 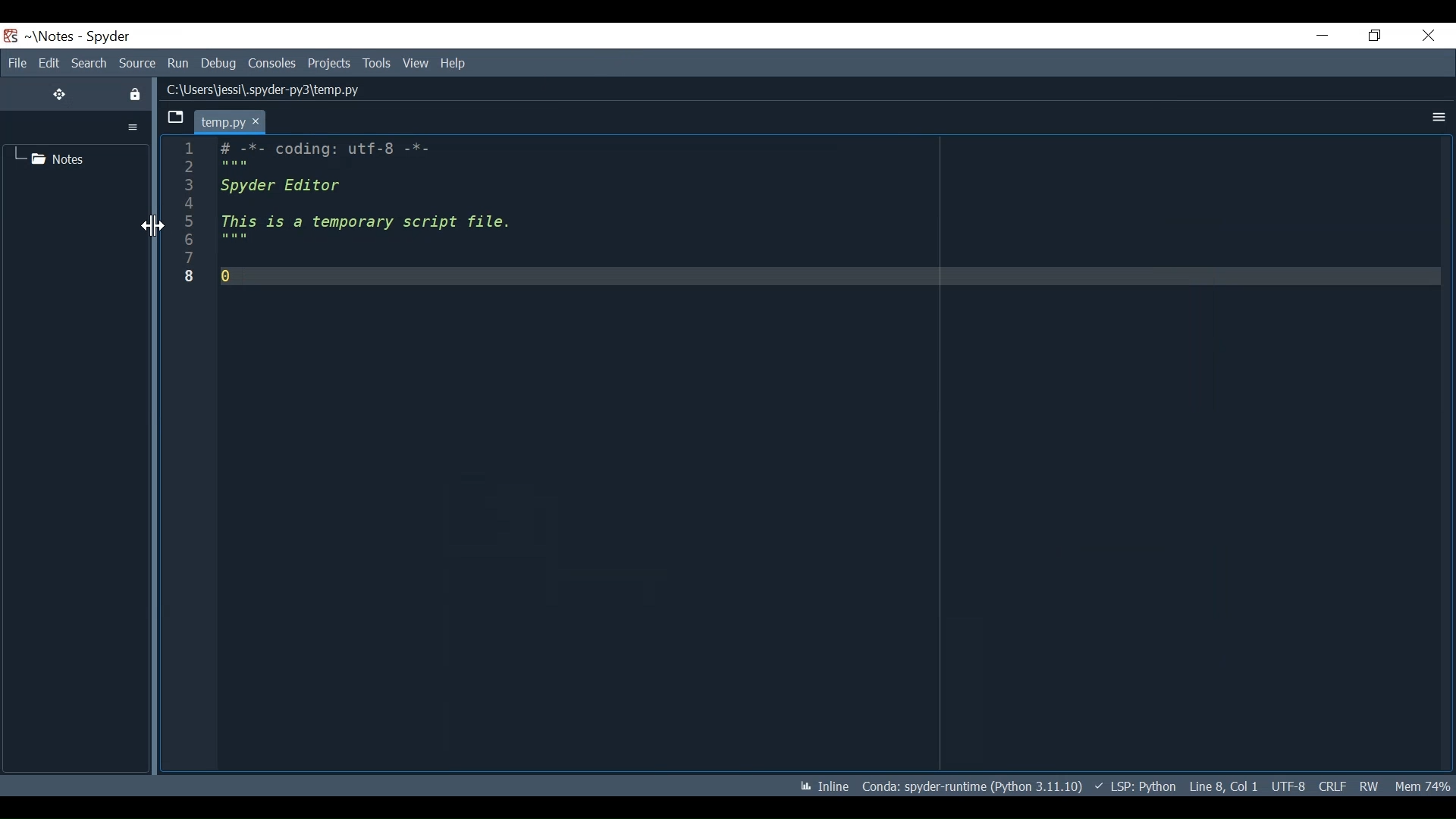 What do you see at coordinates (60, 95) in the screenshot?
I see `Move` at bounding box center [60, 95].